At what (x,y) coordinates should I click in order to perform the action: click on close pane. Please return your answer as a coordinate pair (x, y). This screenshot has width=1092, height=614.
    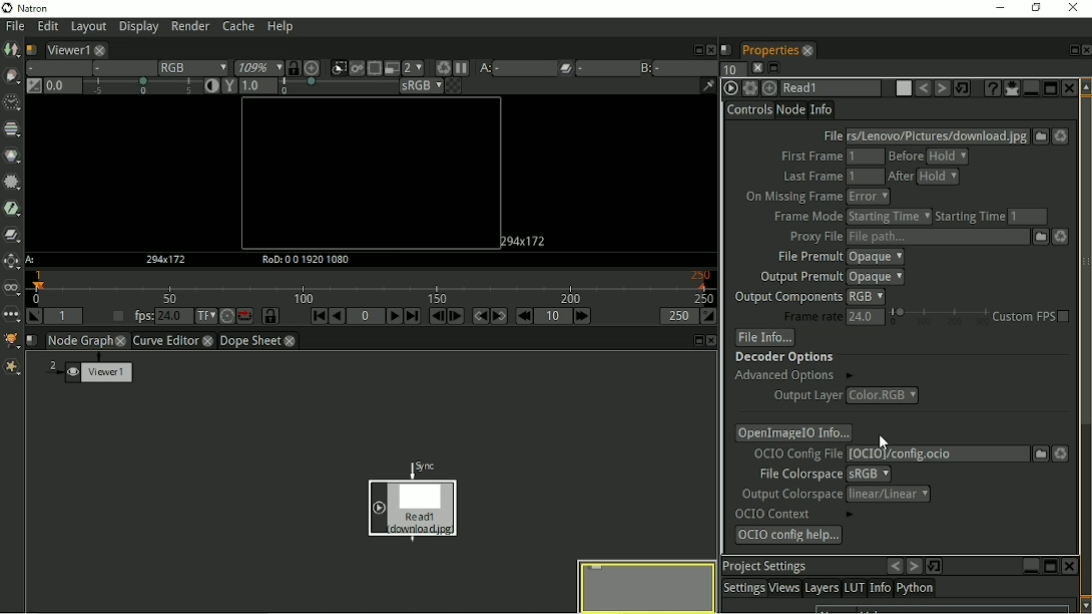
    Looking at the image, I should click on (757, 69).